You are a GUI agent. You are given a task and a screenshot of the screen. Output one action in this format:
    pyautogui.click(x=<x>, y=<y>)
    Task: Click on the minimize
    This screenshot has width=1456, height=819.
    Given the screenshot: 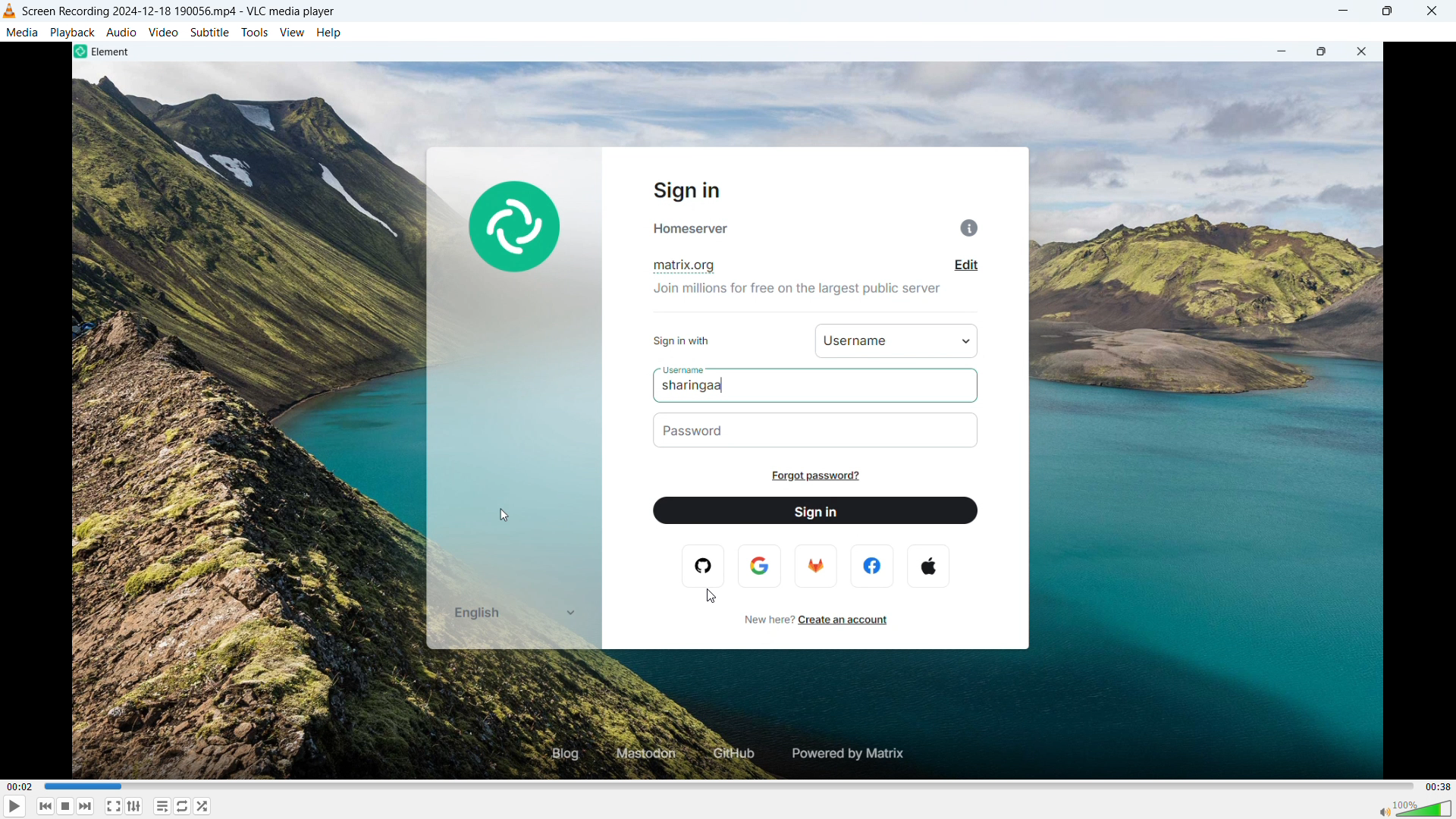 What is the action you would take?
    pyautogui.click(x=1341, y=11)
    